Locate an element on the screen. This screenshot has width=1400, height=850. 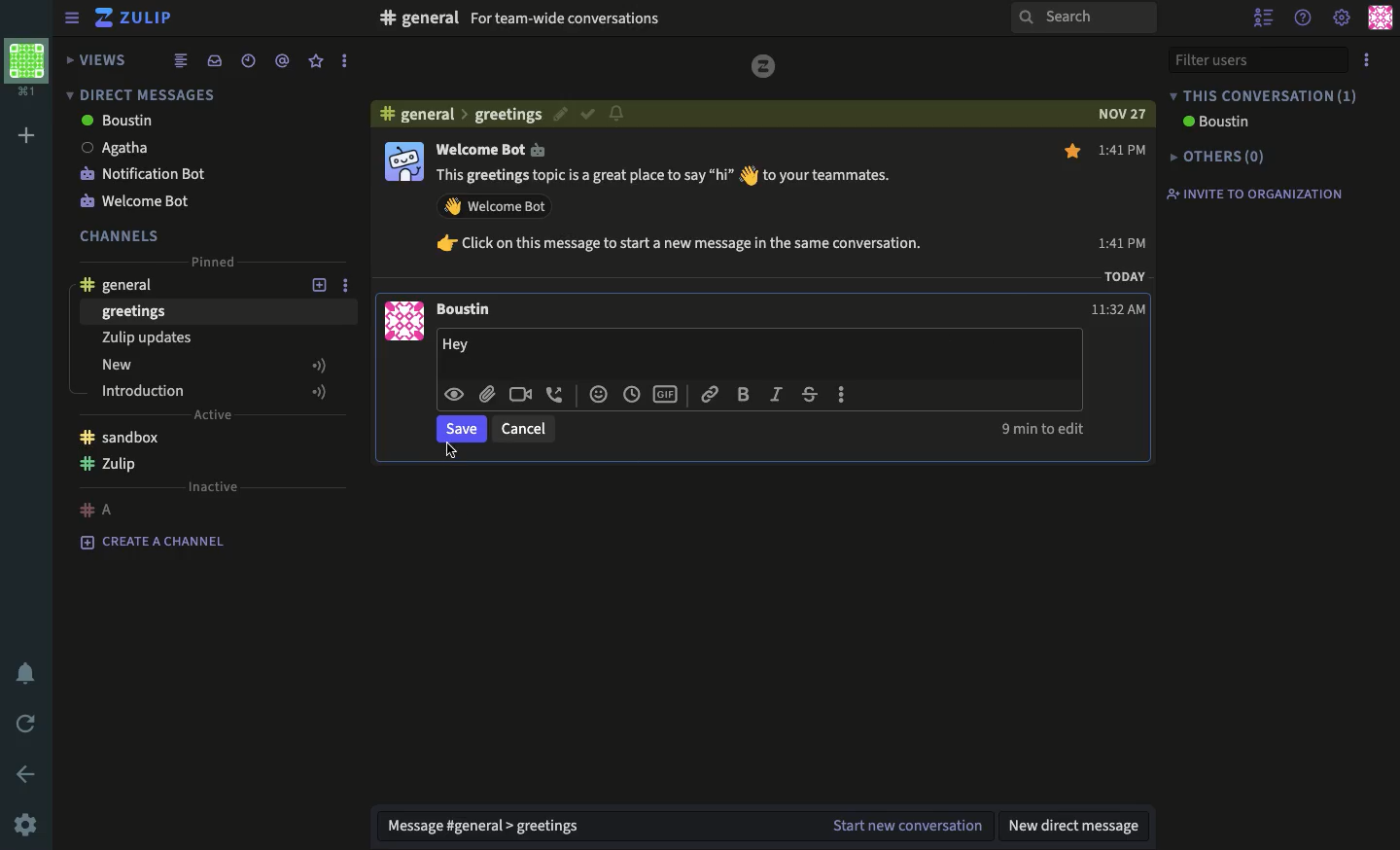
views is located at coordinates (98, 59).